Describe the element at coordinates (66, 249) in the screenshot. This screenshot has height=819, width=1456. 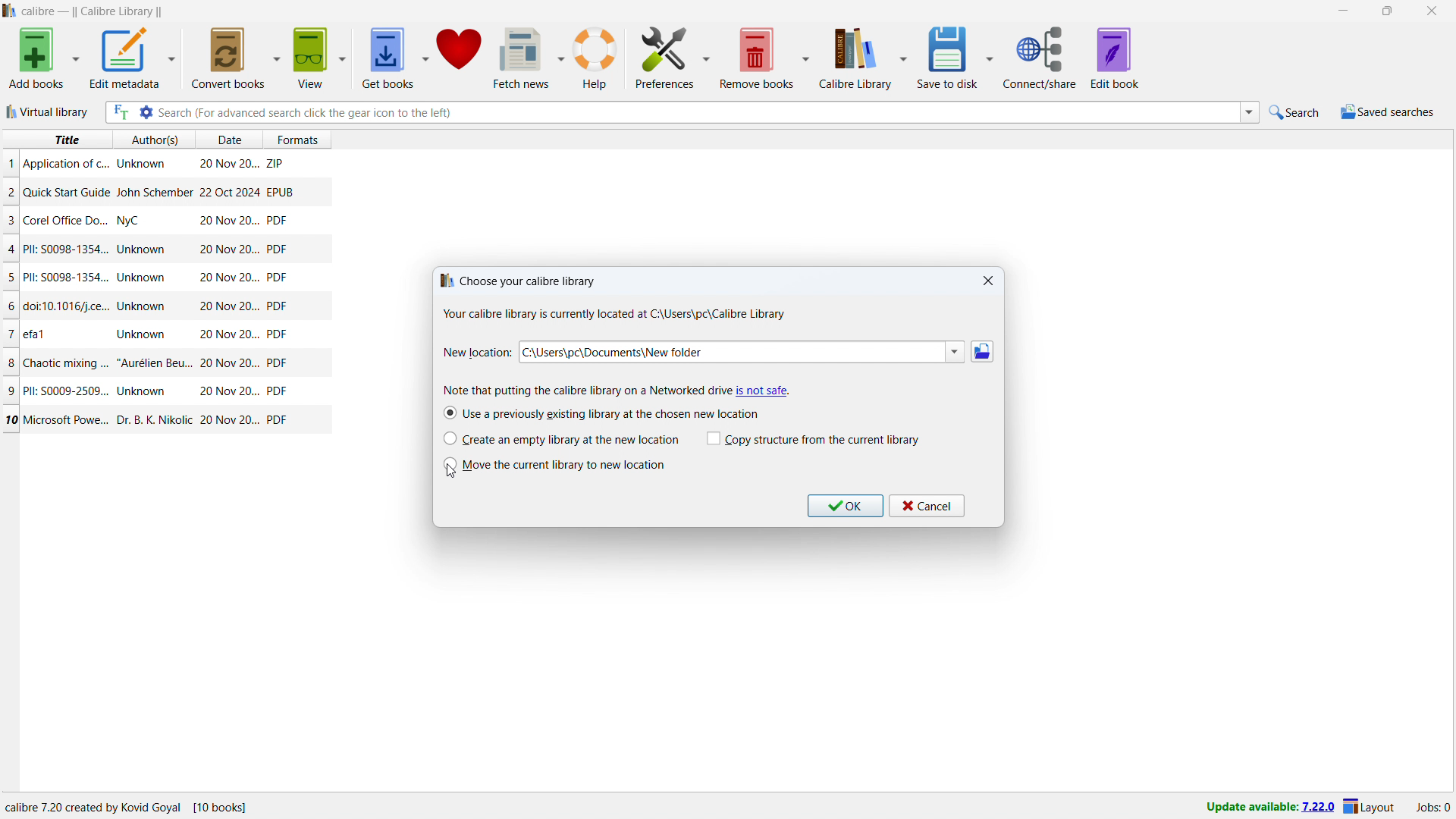
I see `Title` at that location.